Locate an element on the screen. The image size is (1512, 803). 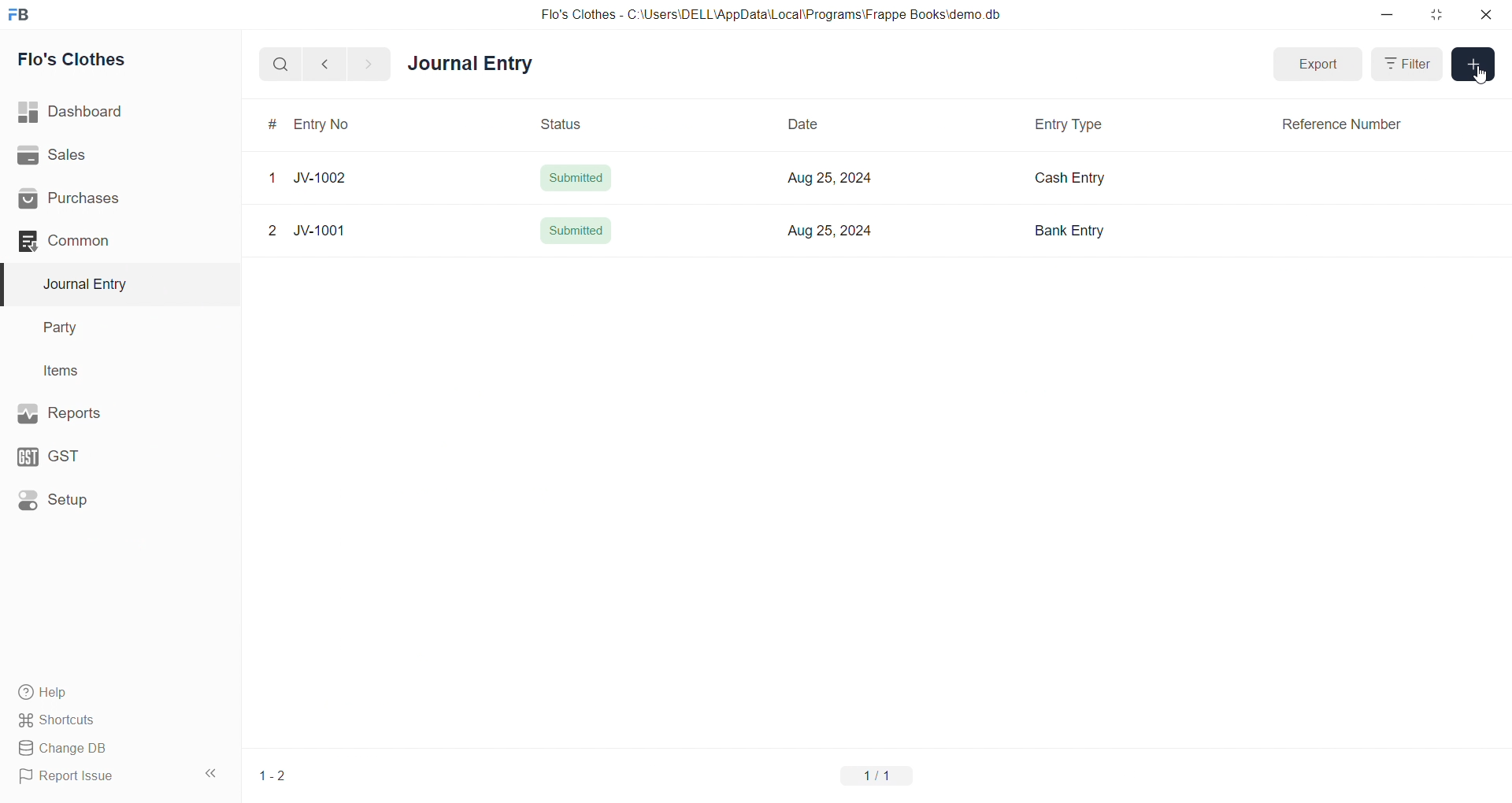
Submitted is located at coordinates (578, 228).